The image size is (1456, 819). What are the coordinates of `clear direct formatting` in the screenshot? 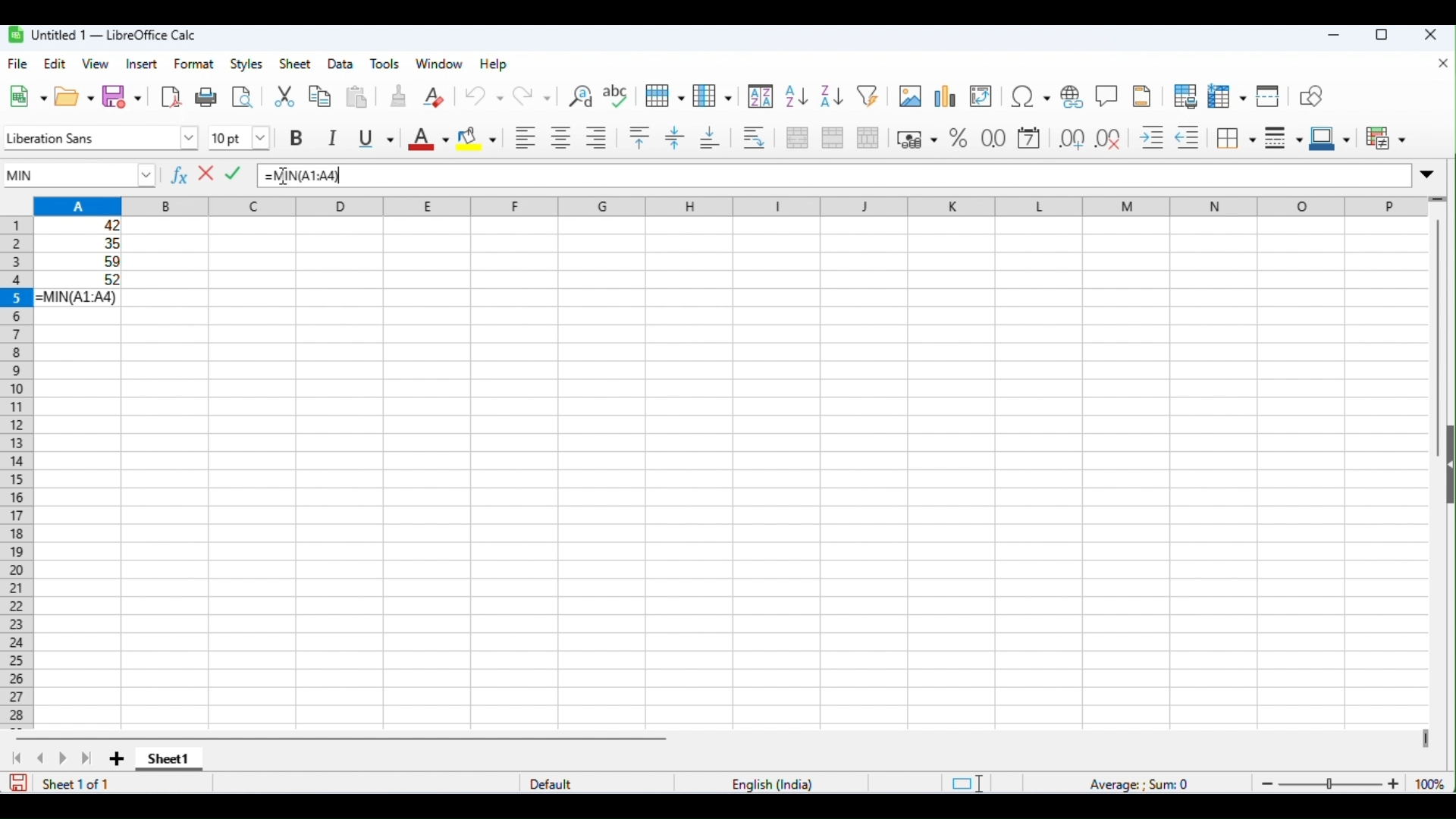 It's located at (433, 97).